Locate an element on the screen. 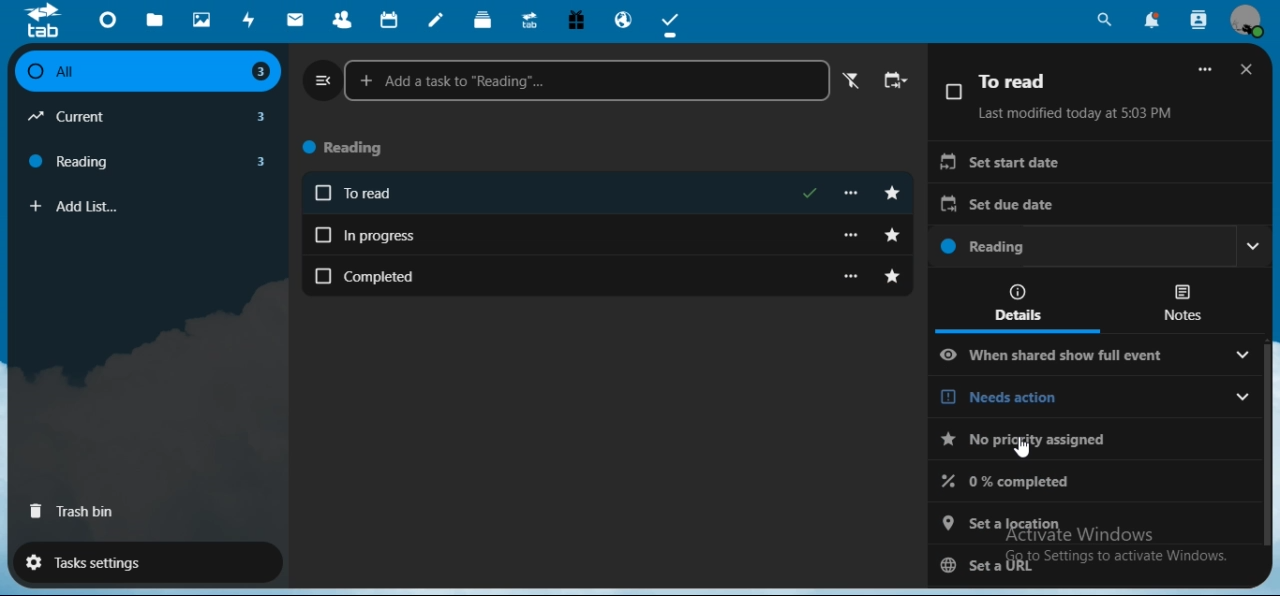 The image size is (1280, 596). tasks is located at coordinates (673, 23).